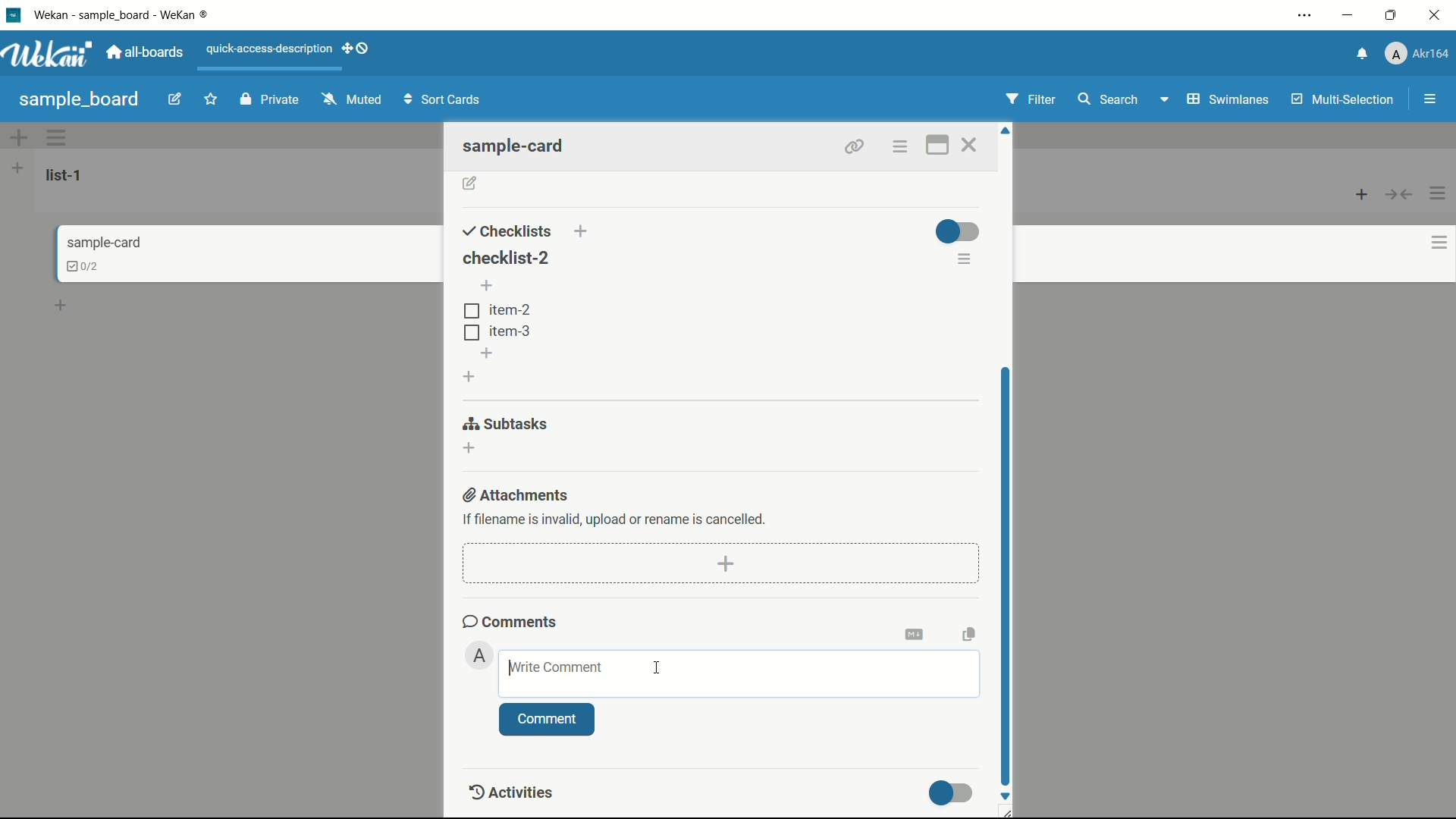 This screenshot has width=1456, height=819. Describe the element at coordinates (965, 261) in the screenshot. I see `checklist actions` at that location.